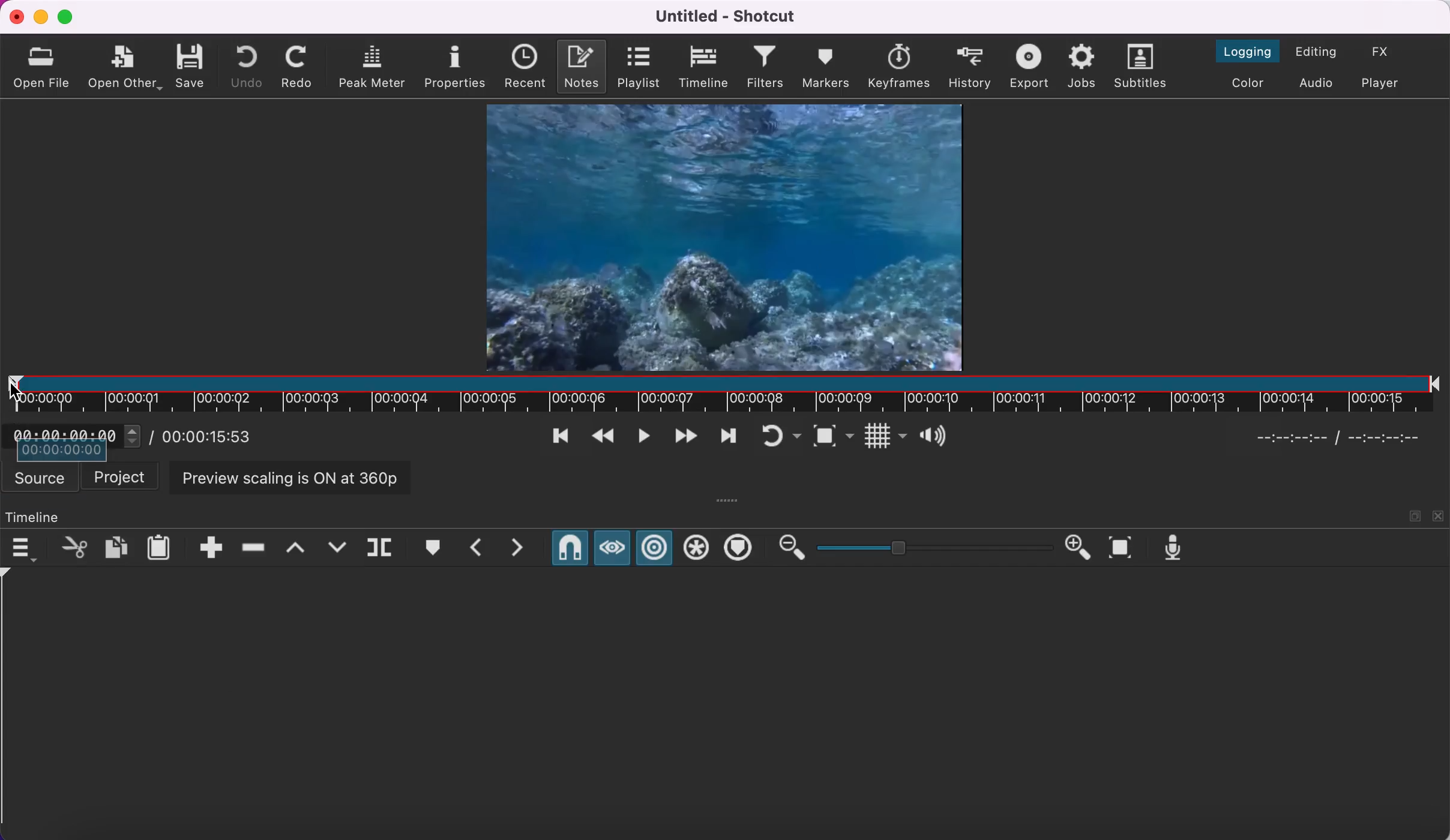 The image size is (1450, 840). What do you see at coordinates (1386, 85) in the screenshot?
I see `switch to player only layout` at bounding box center [1386, 85].